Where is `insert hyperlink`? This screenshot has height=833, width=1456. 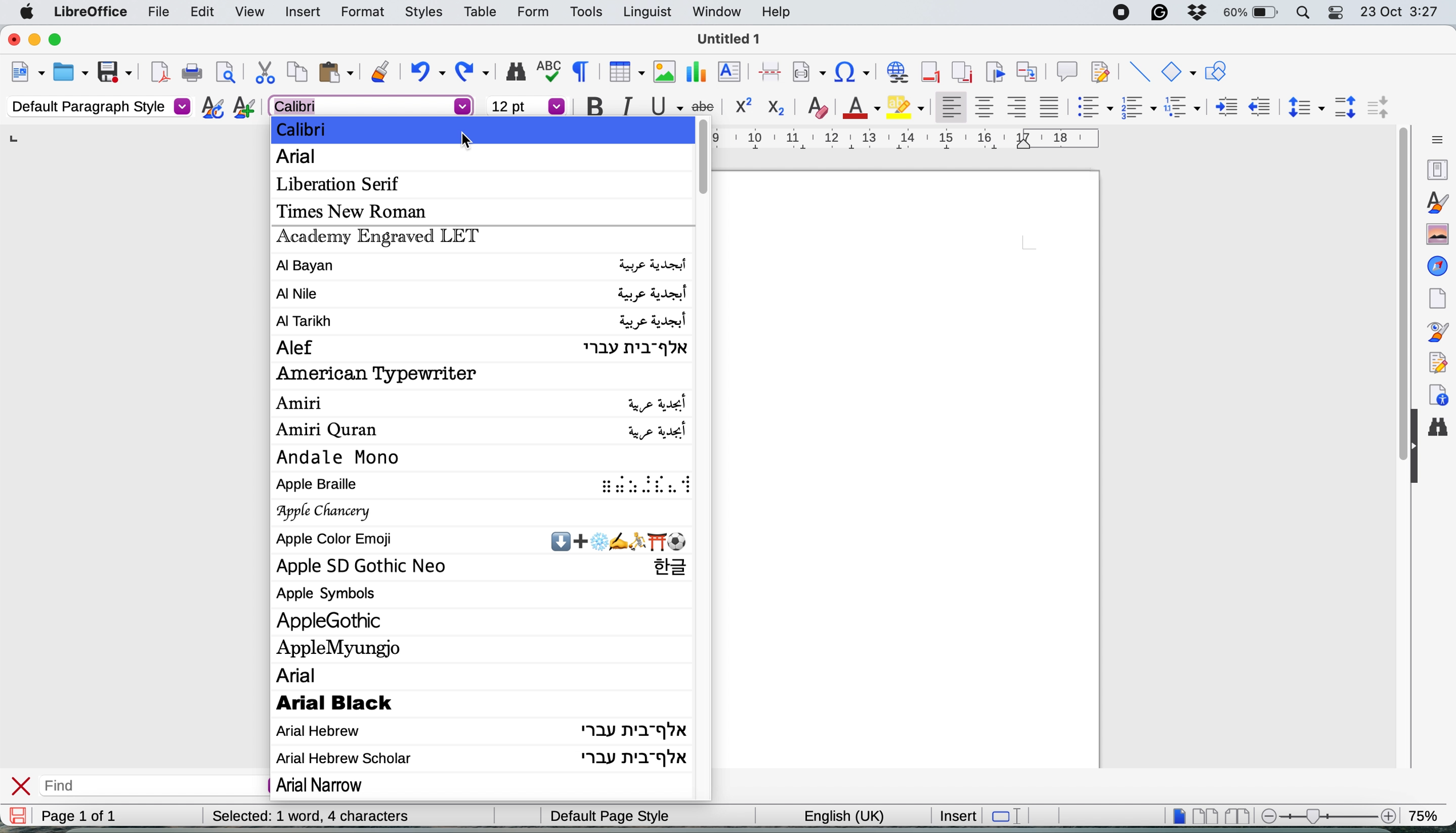
insert hyperlink is located at coordinates (895, 73).